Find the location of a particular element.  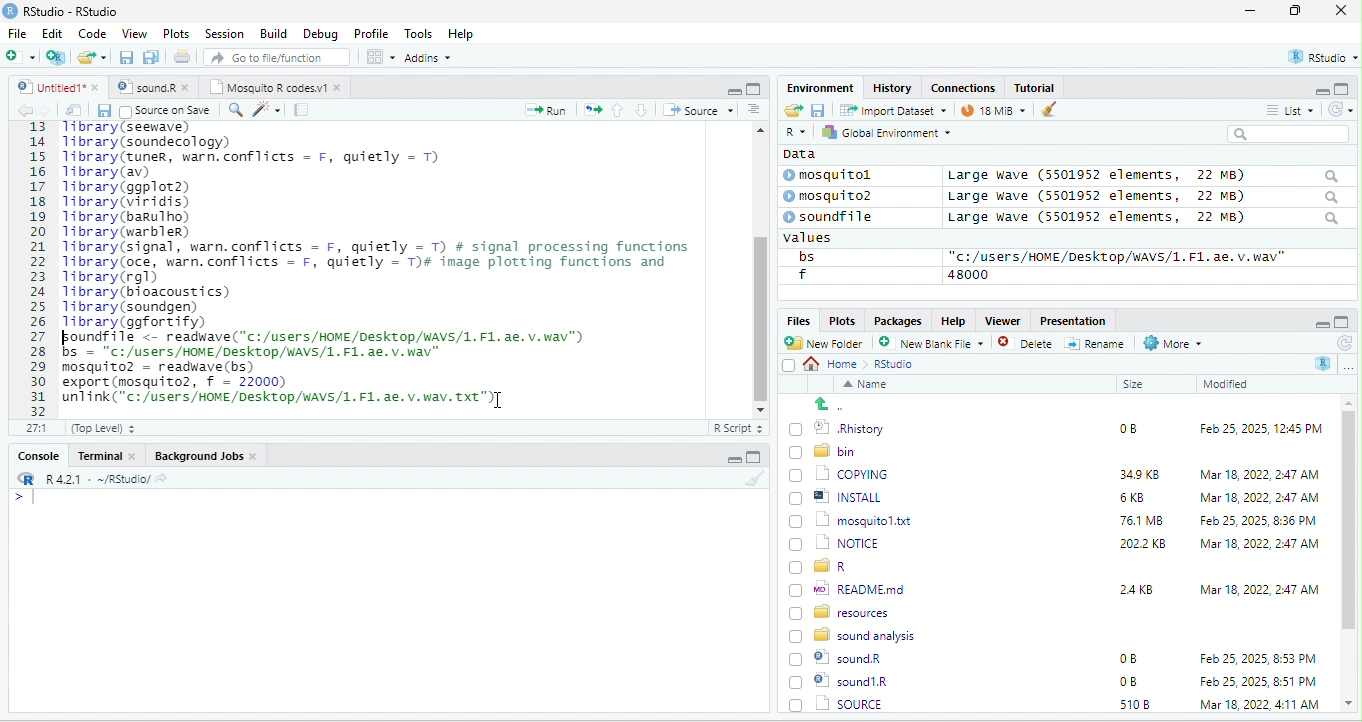

48000 is located at coordinates (969, 274).